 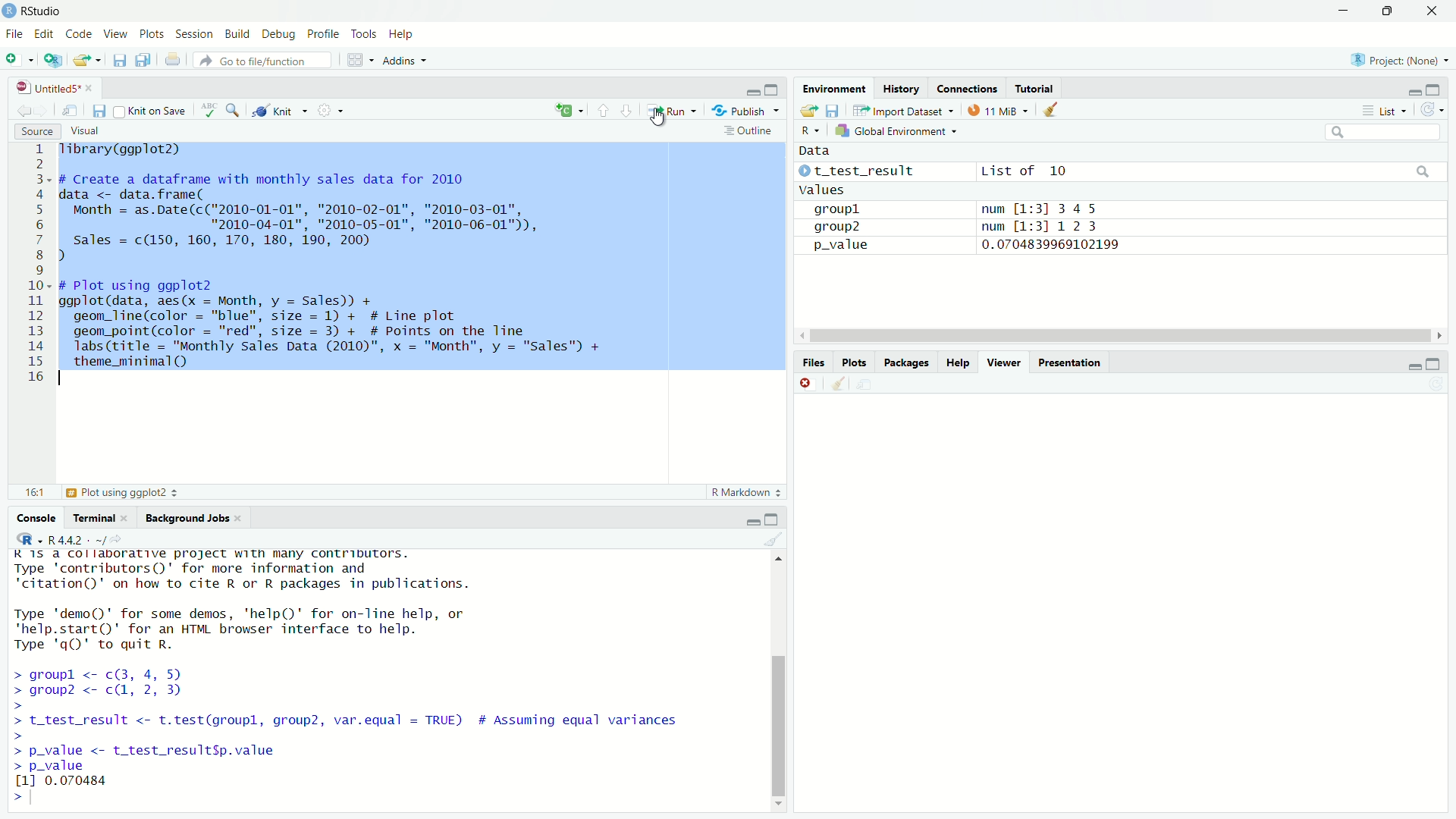 I want to click on re-run previous code, so click(x=566, y=111).